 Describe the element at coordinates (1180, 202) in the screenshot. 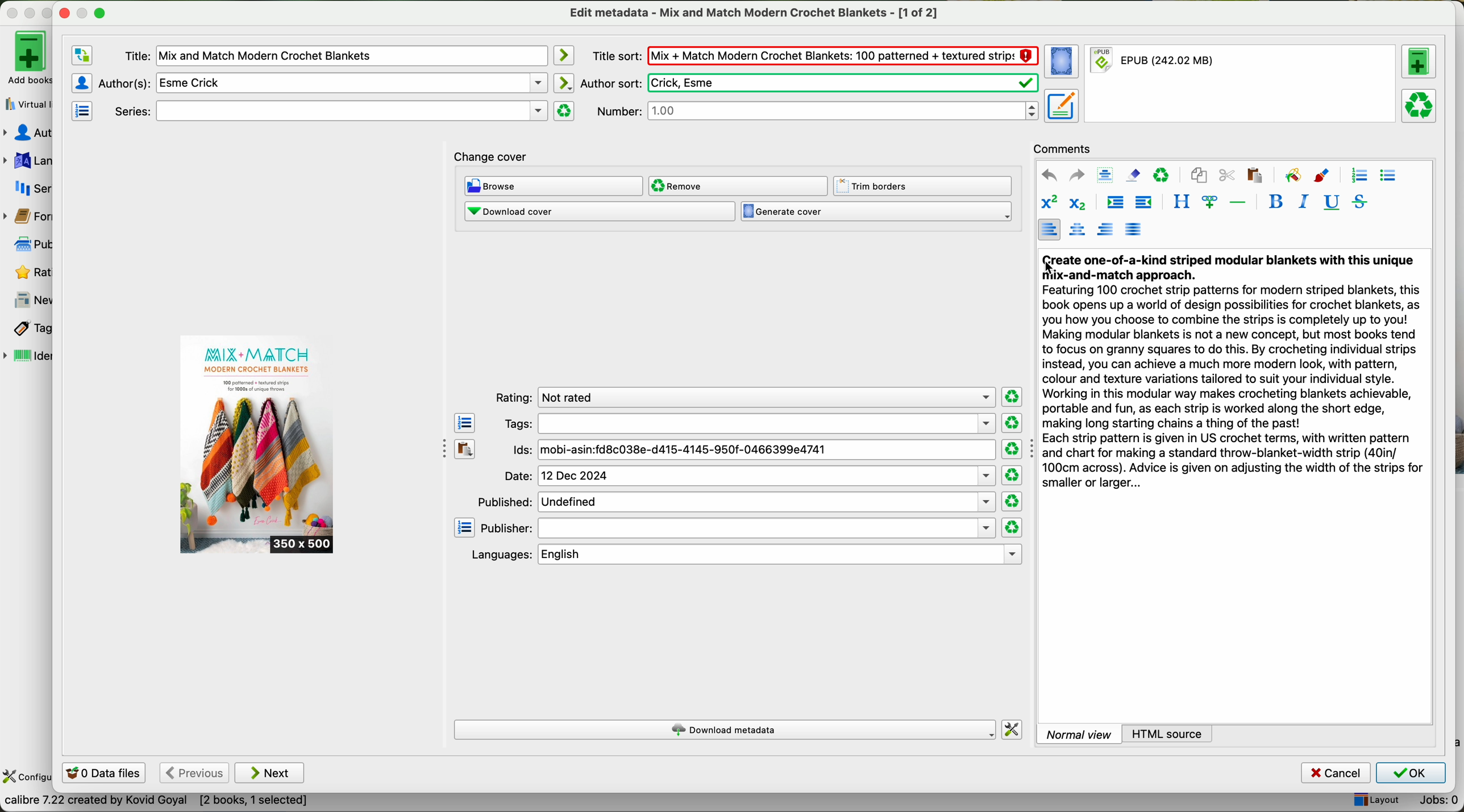

I see `style the selected text block` at that location.